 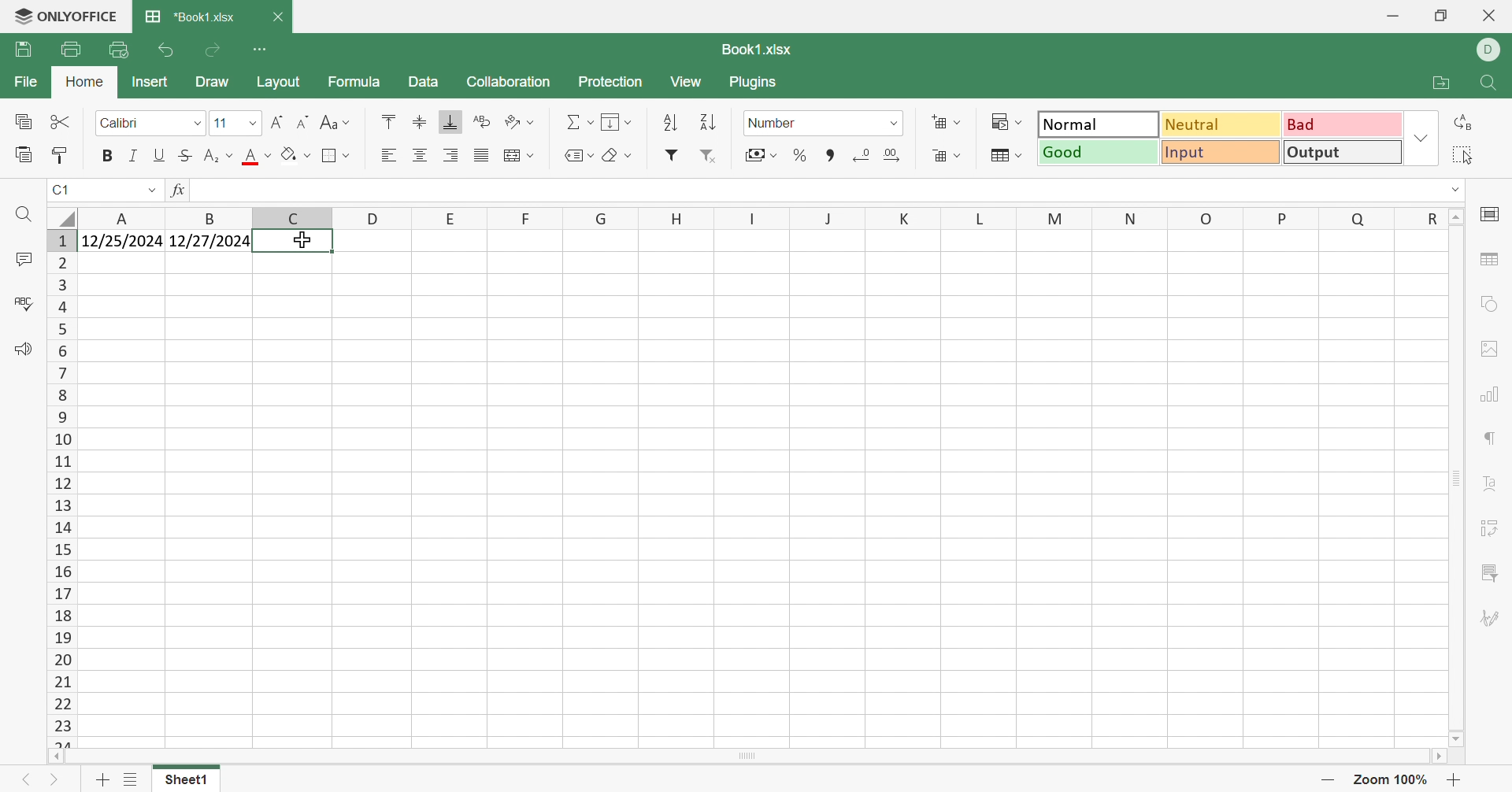 What do you see at coordinates (1466, 123) in the screenshot?
I see `Replace` at bounding box center [1466, 123].